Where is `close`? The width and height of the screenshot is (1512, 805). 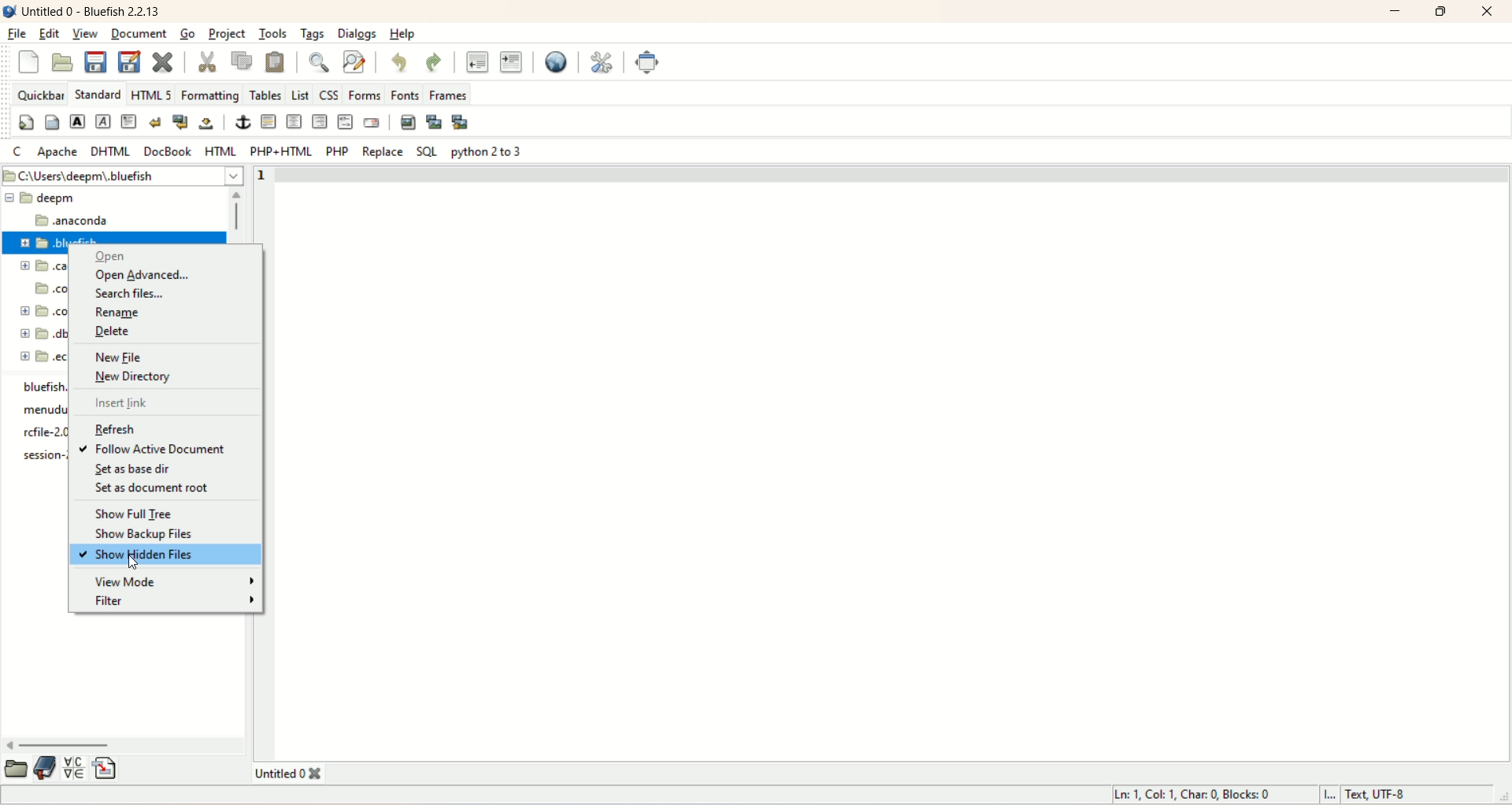
close is located at coordinates (1485, 13).